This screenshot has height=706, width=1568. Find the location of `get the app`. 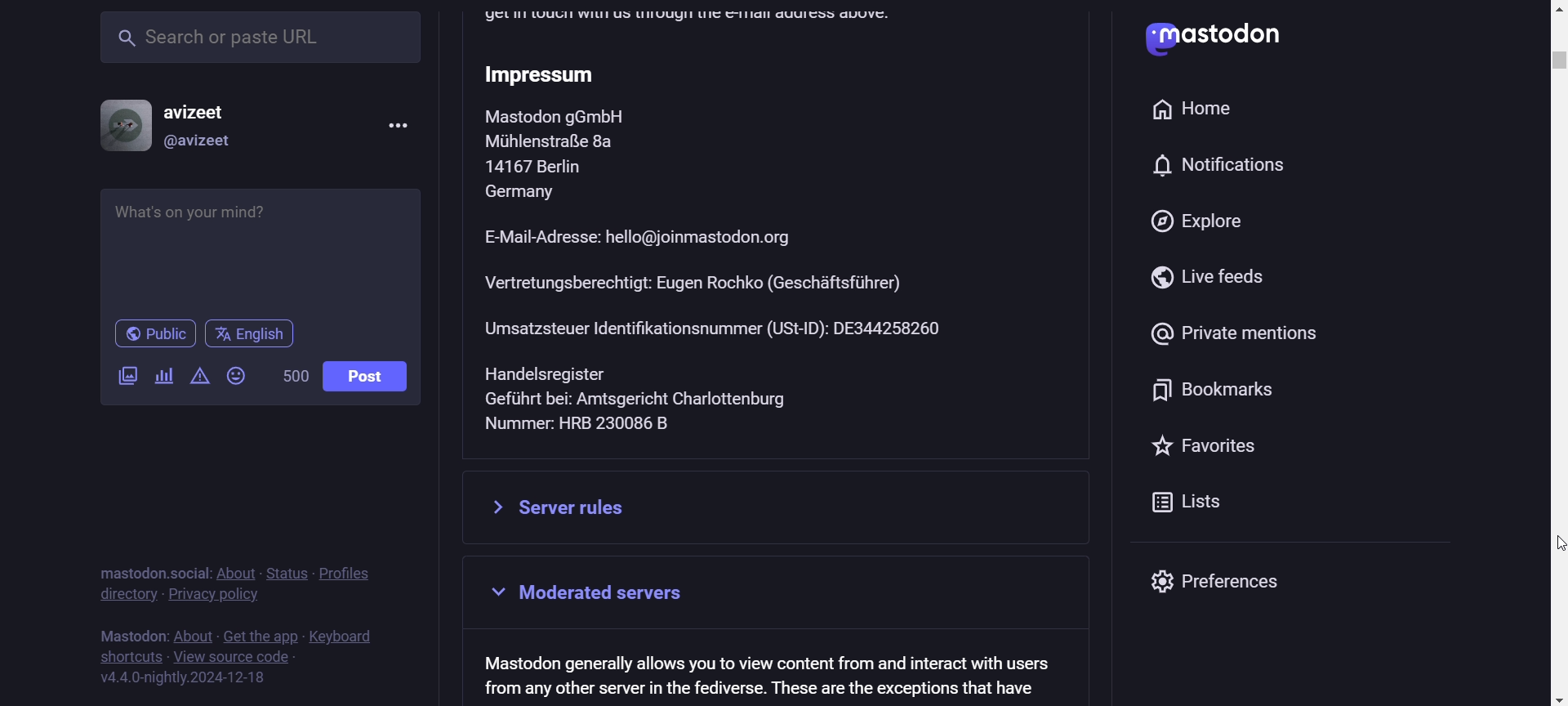

get the app is located at coordinates (261, 634).